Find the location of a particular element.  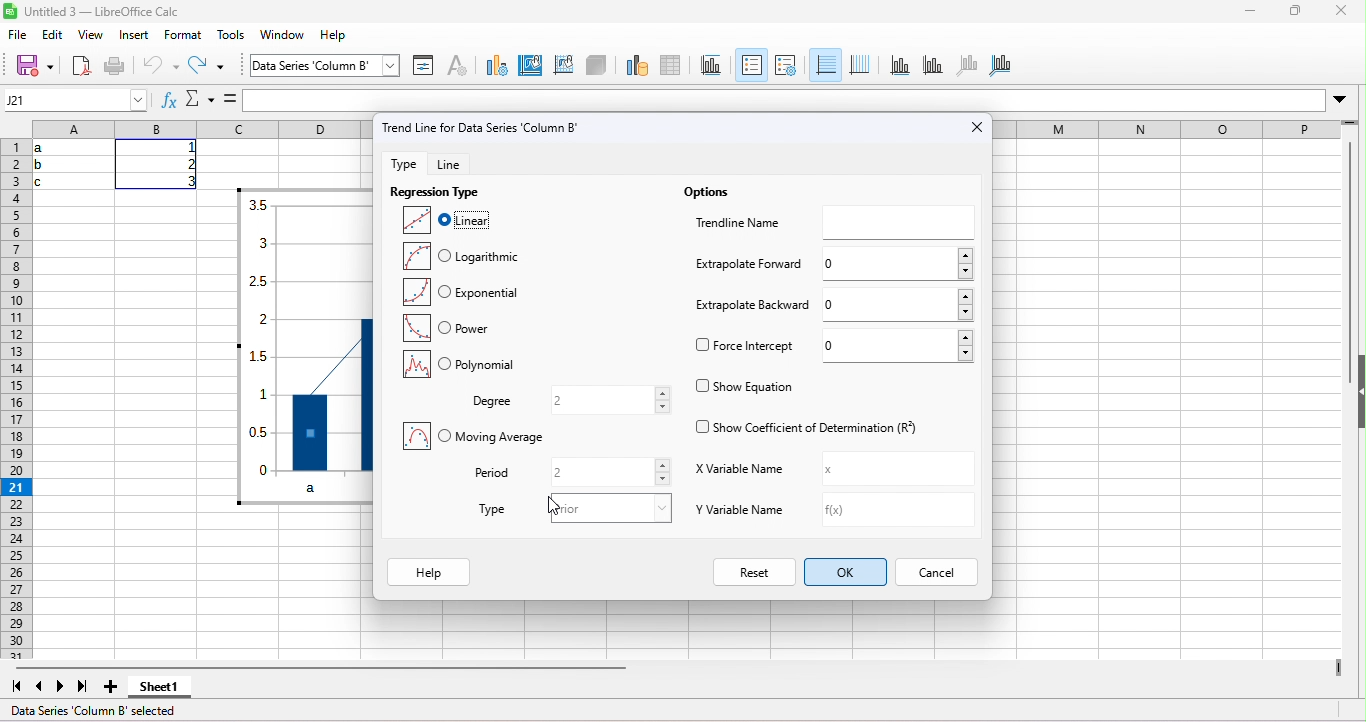

range of cells is located at coordinates (121, 167).